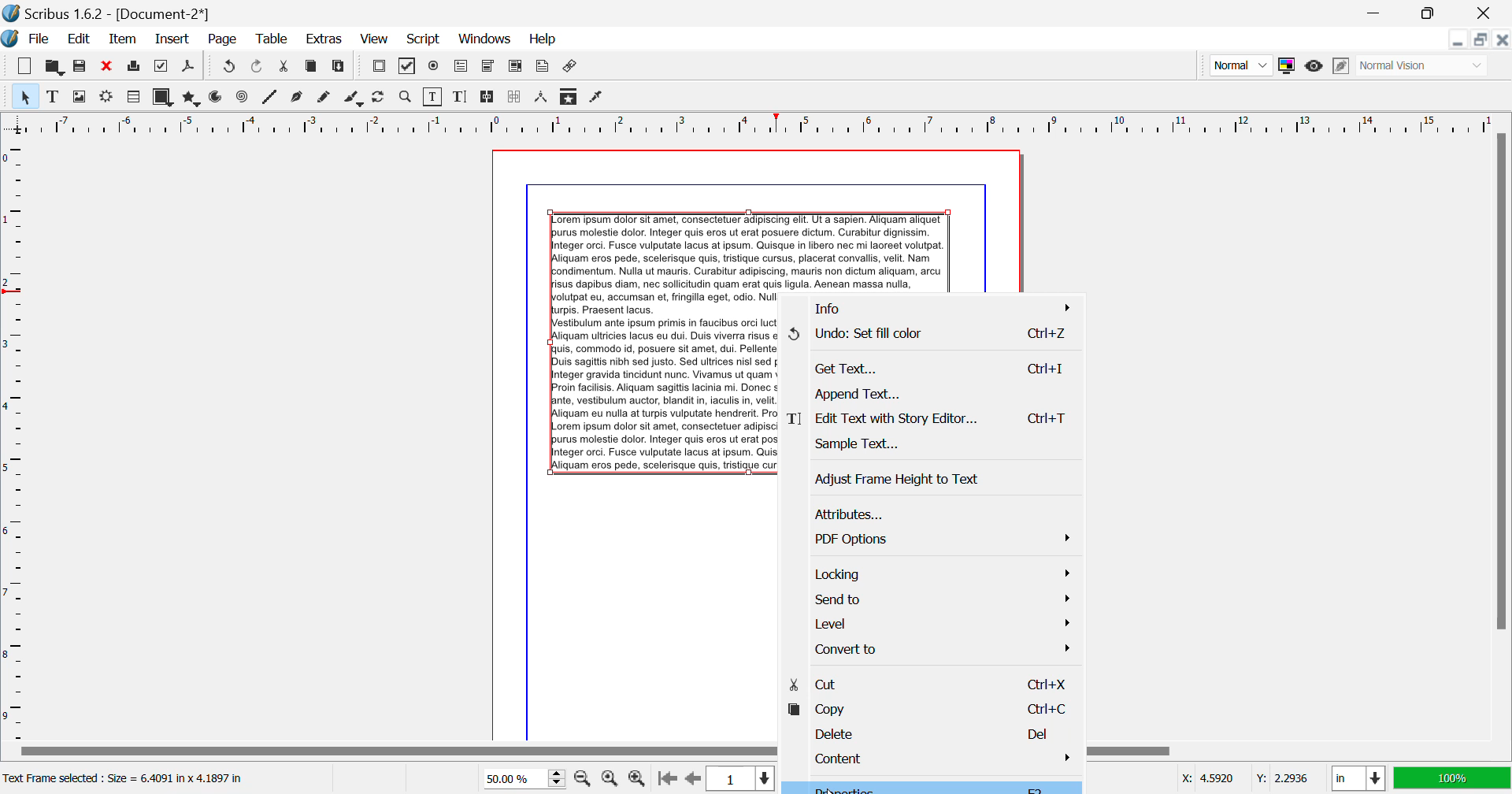  What do you see at coordinates (326, 98) in the screenshot?
I see `Freehand` at bounding box center [326, 98].